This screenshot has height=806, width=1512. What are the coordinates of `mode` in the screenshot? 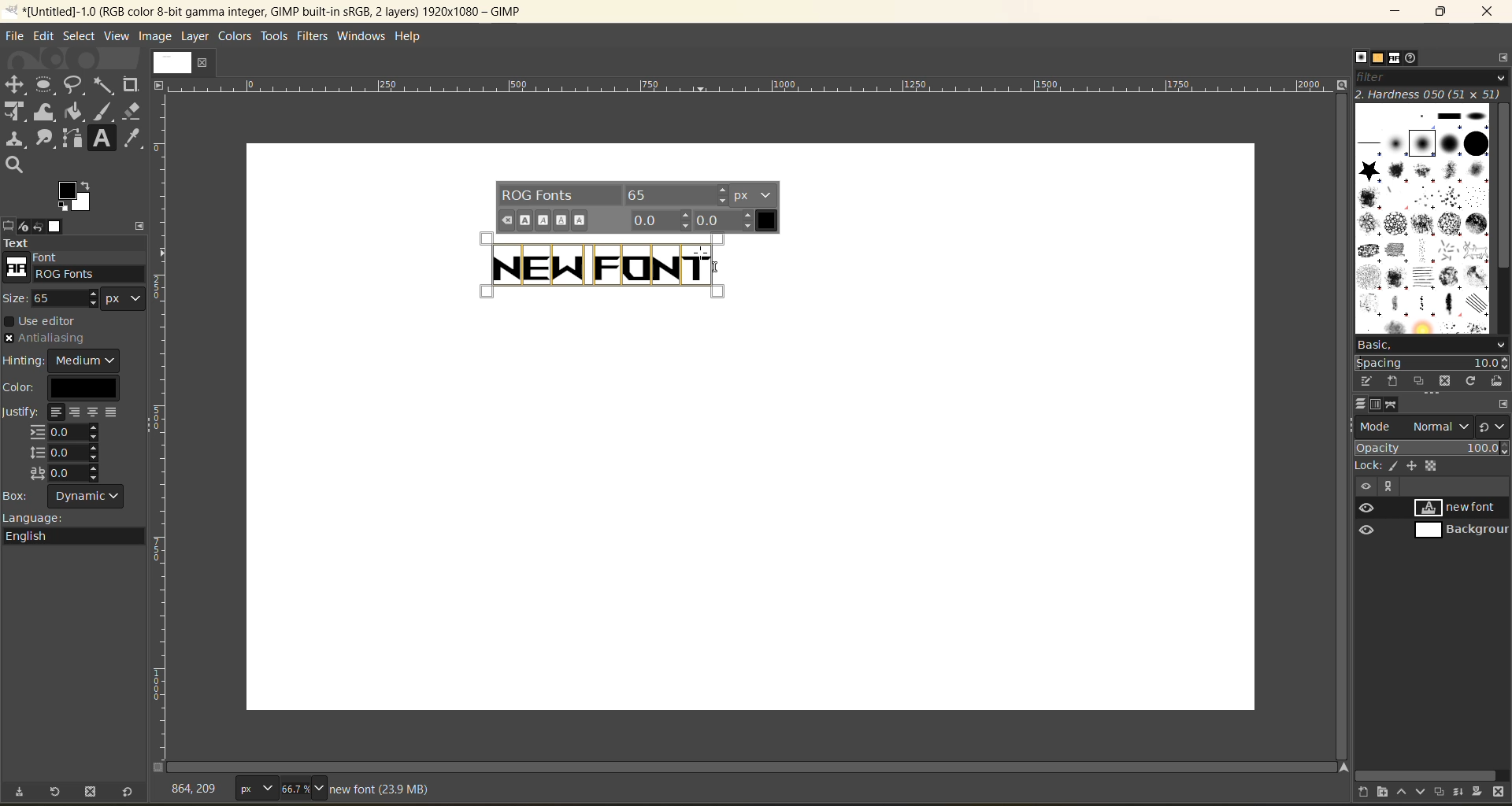 It's located at (1415, 427).